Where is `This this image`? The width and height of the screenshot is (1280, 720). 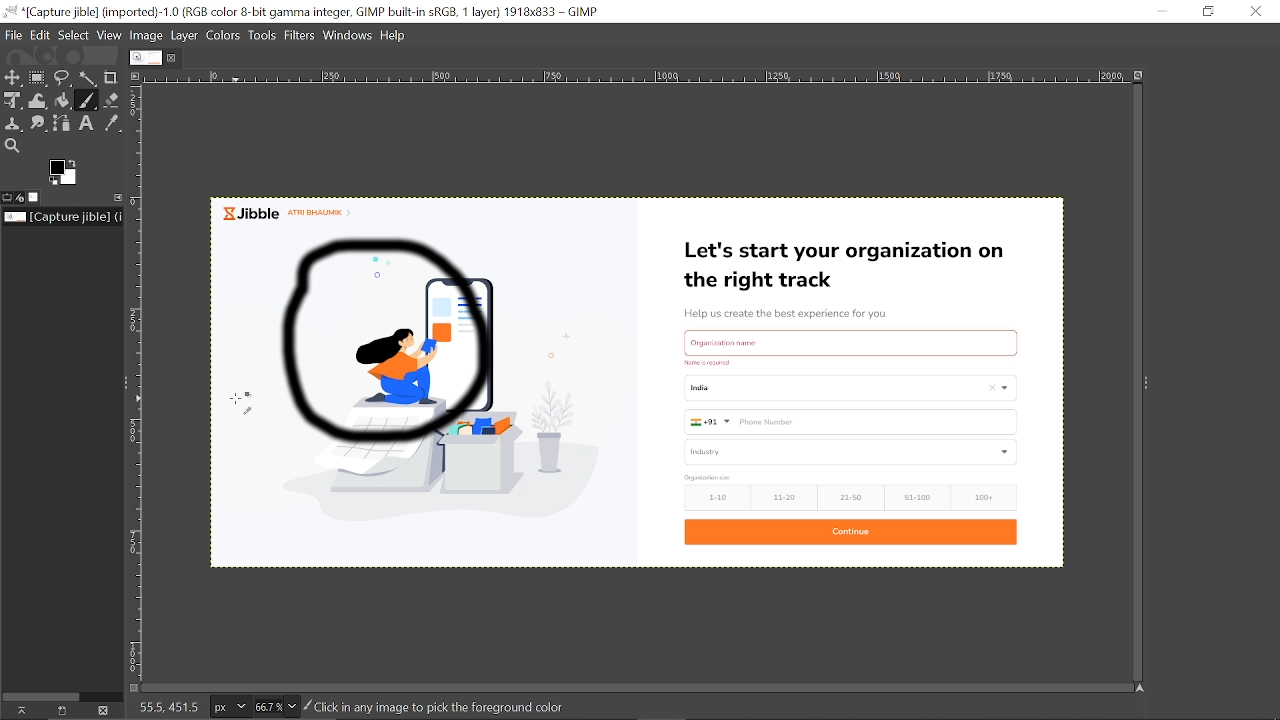 This this image is located at coordinates (103, 711).